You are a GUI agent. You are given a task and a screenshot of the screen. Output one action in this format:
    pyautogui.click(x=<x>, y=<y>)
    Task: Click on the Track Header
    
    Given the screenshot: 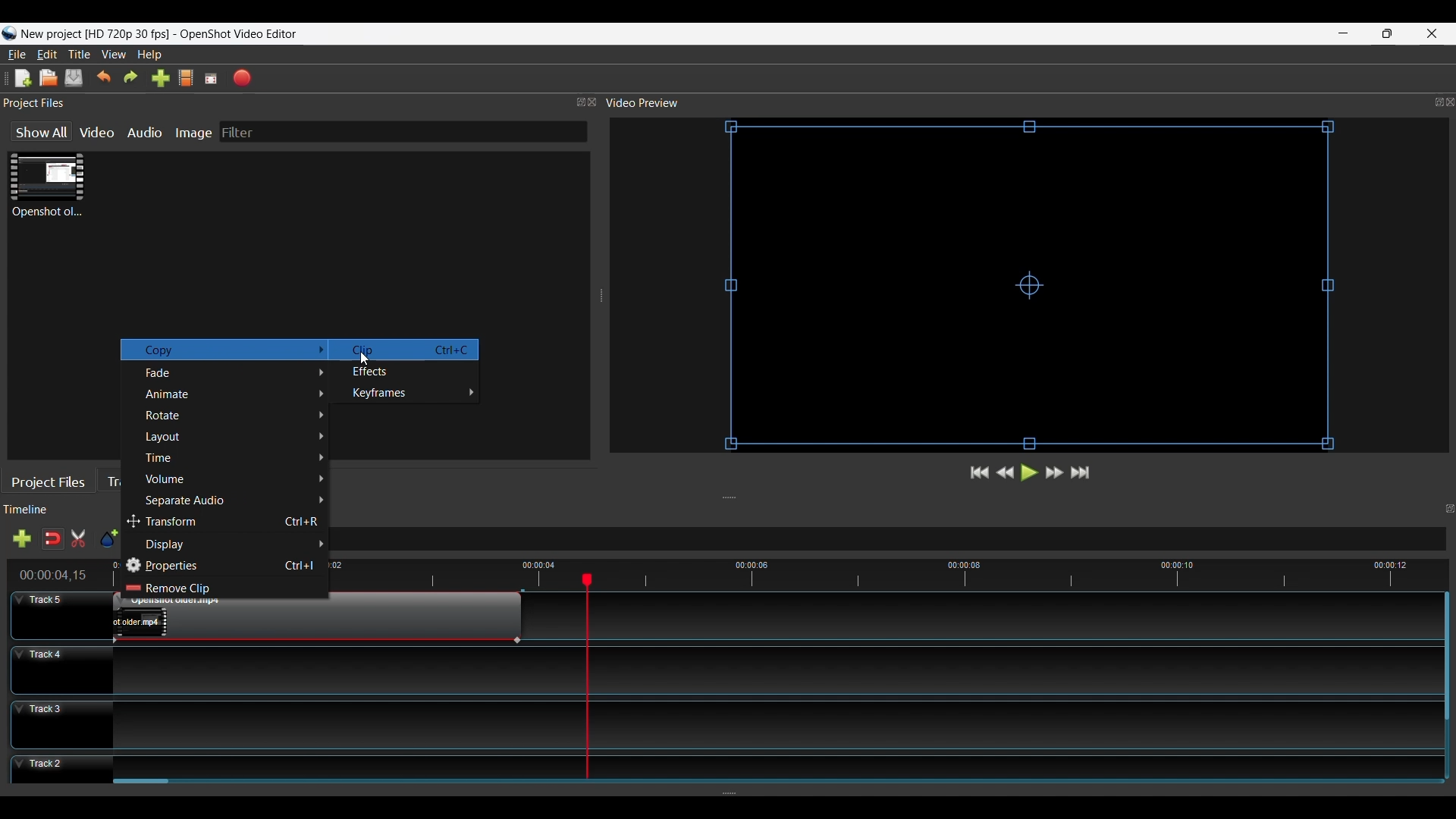 What is the action you would take?
    pyautogui.click(x=61, y=614)
    